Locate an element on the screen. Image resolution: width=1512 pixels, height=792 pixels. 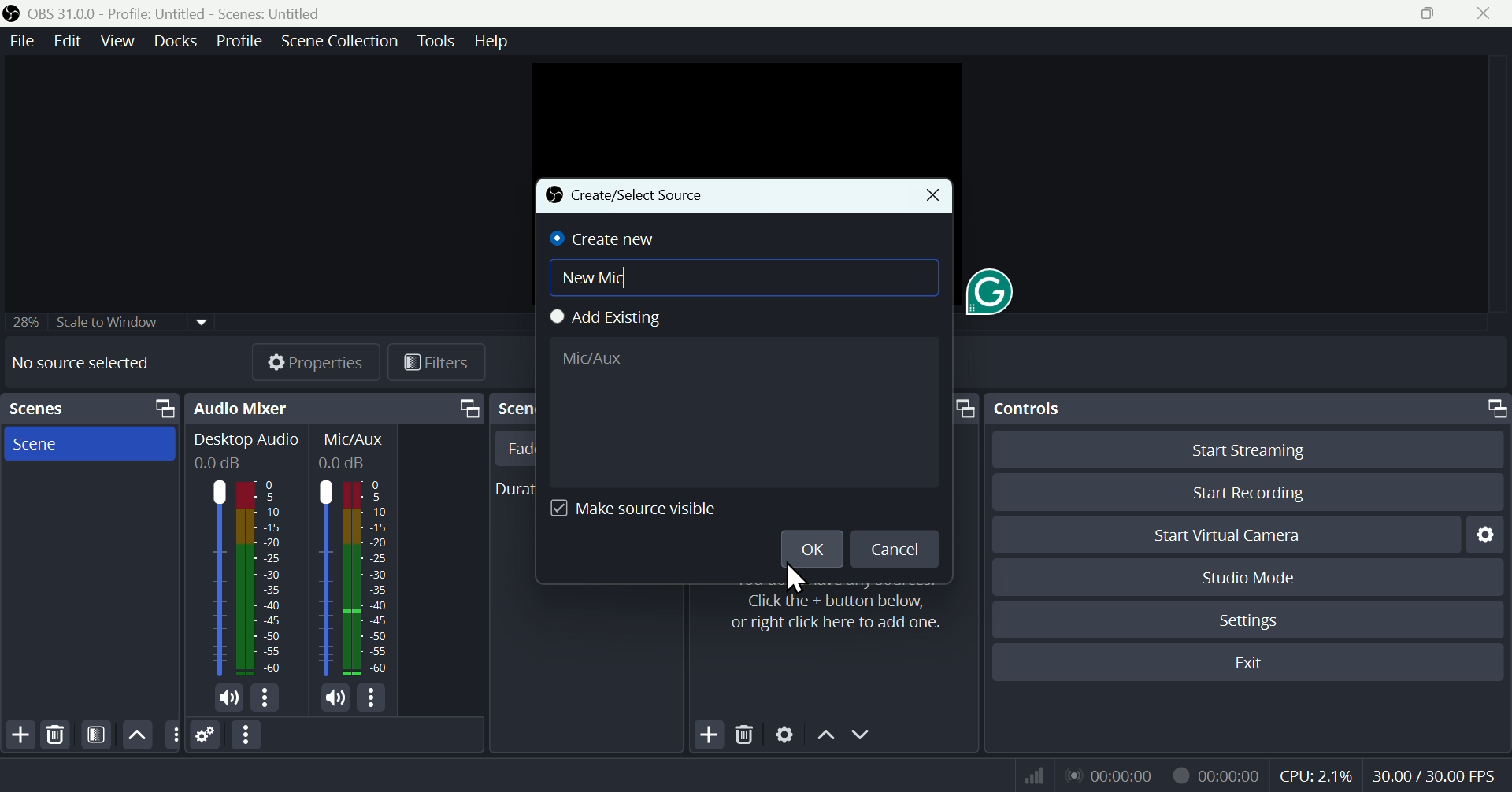
Filtres is located at coordinates (437, 365).